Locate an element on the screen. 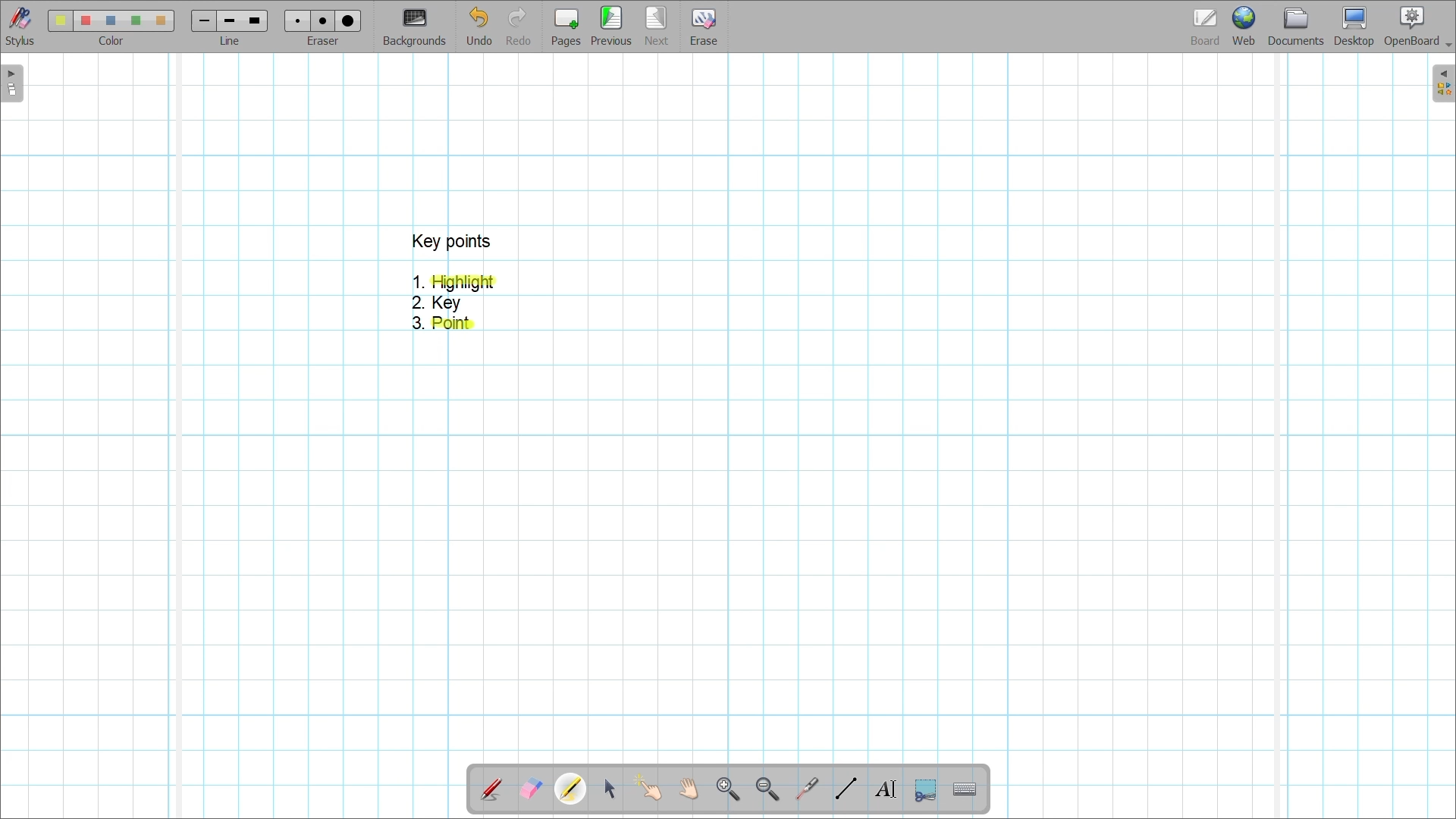 The height and width of the screenshot is (819, 1456). color 2 is located at coordinates (85, 21).